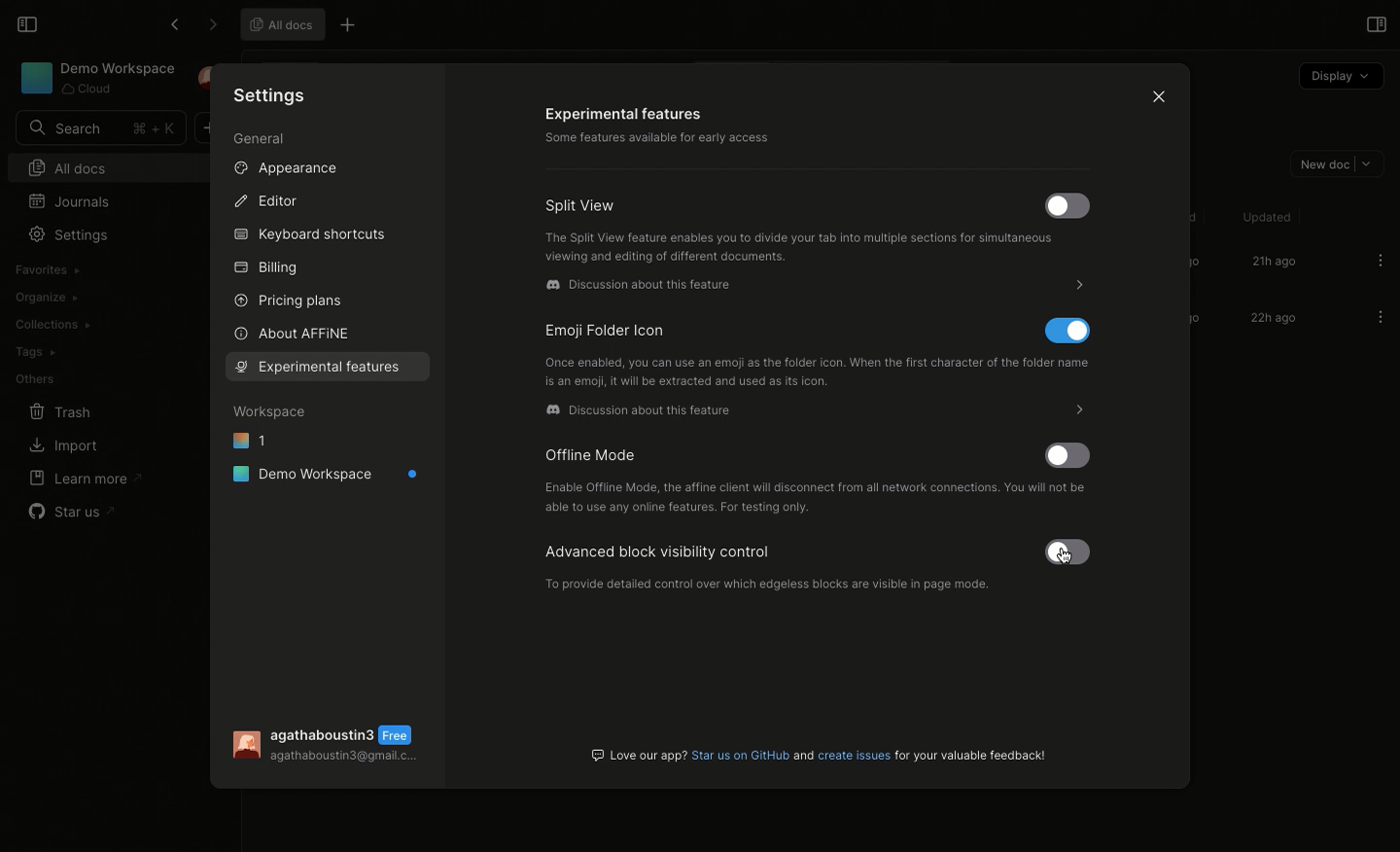 This screenshot has height=852, width=1400. Describe the element at coordinates (60, 412) in the screenshot. I see `Trash` at that location.